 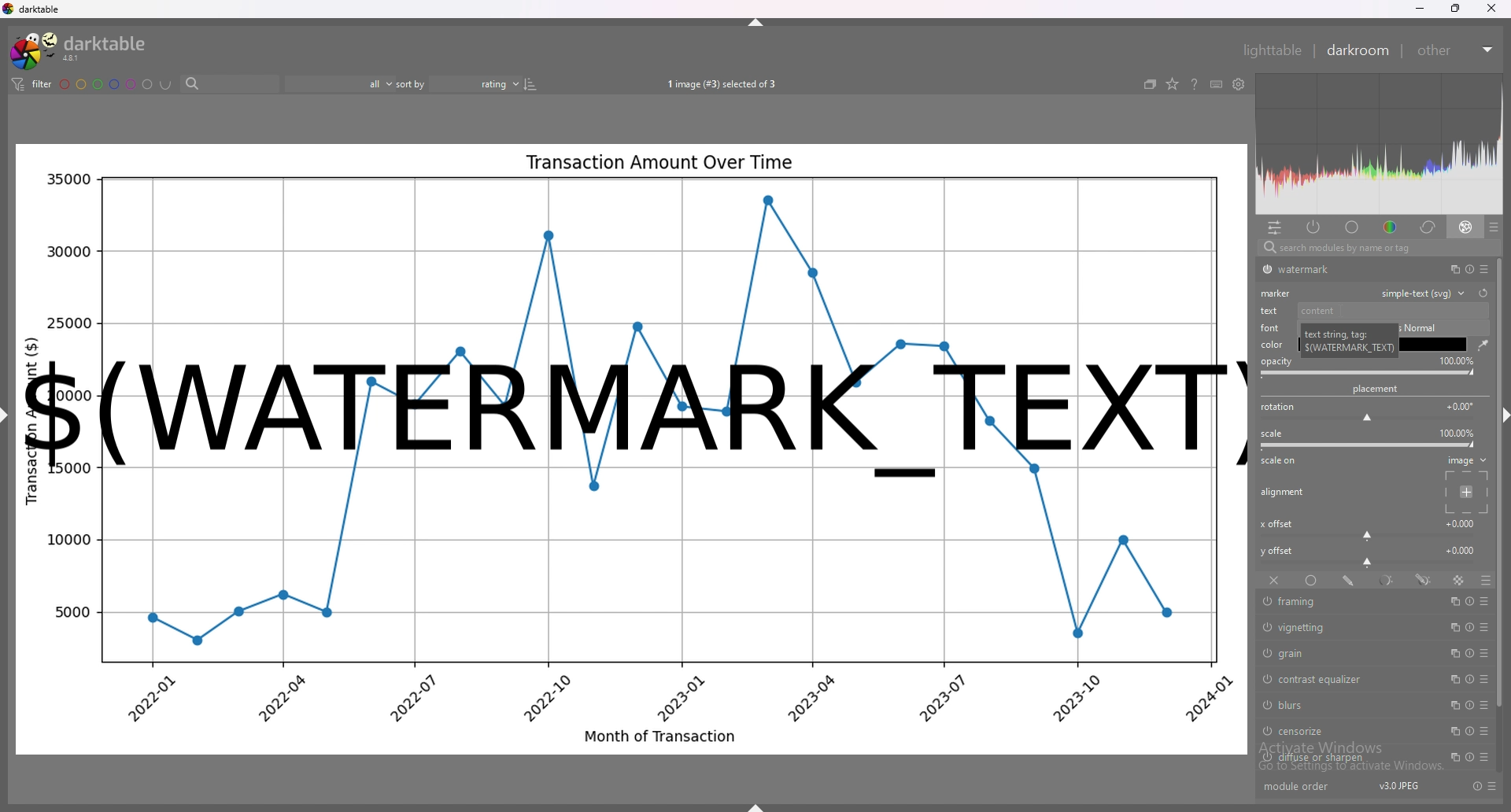 What do you see at coordinates (79, 50) in the screenshot?
I see `darktable` at bounding box center [79, 50].